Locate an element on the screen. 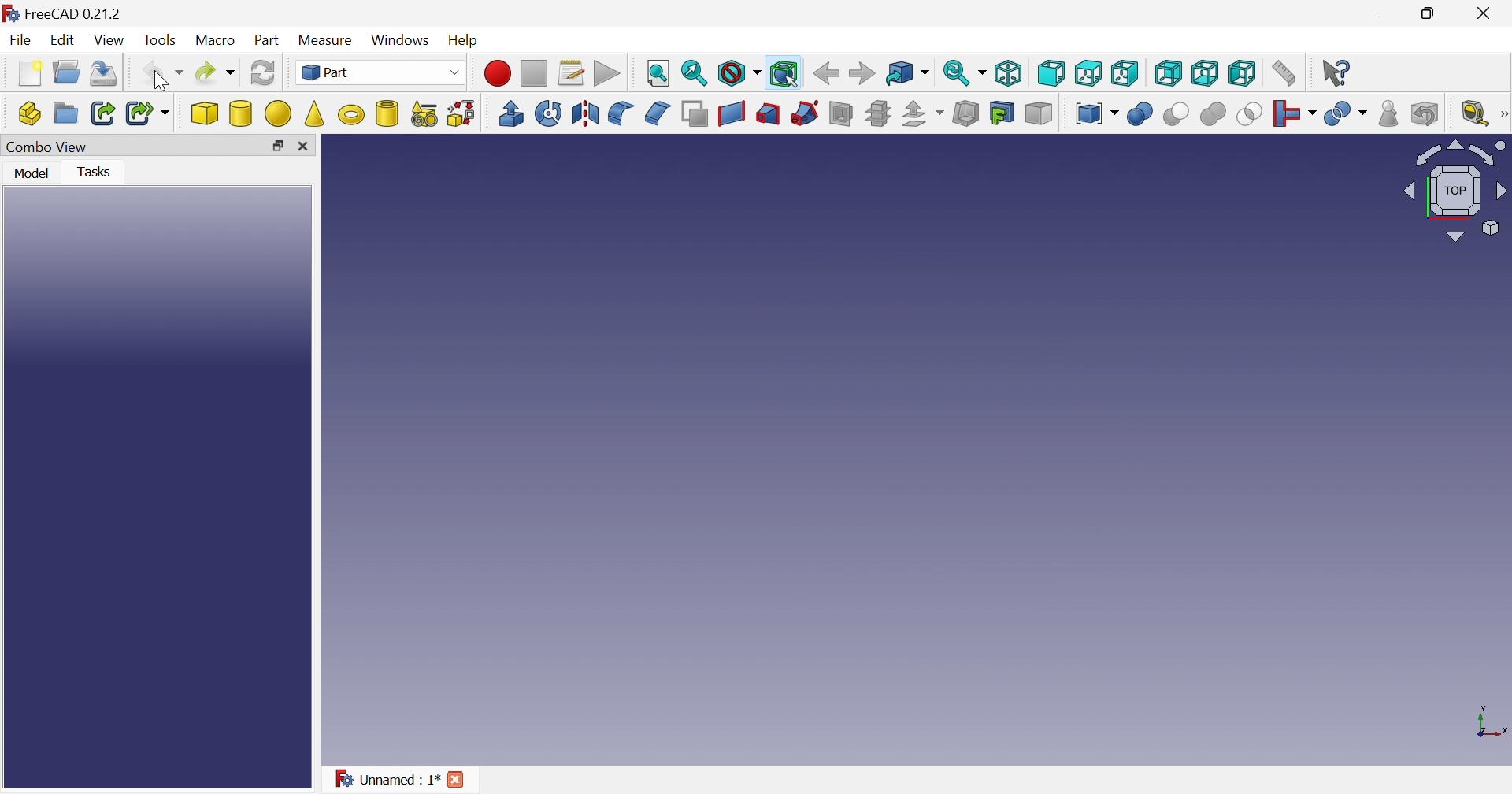  Macro recording... is located at coordinates (497, 73).